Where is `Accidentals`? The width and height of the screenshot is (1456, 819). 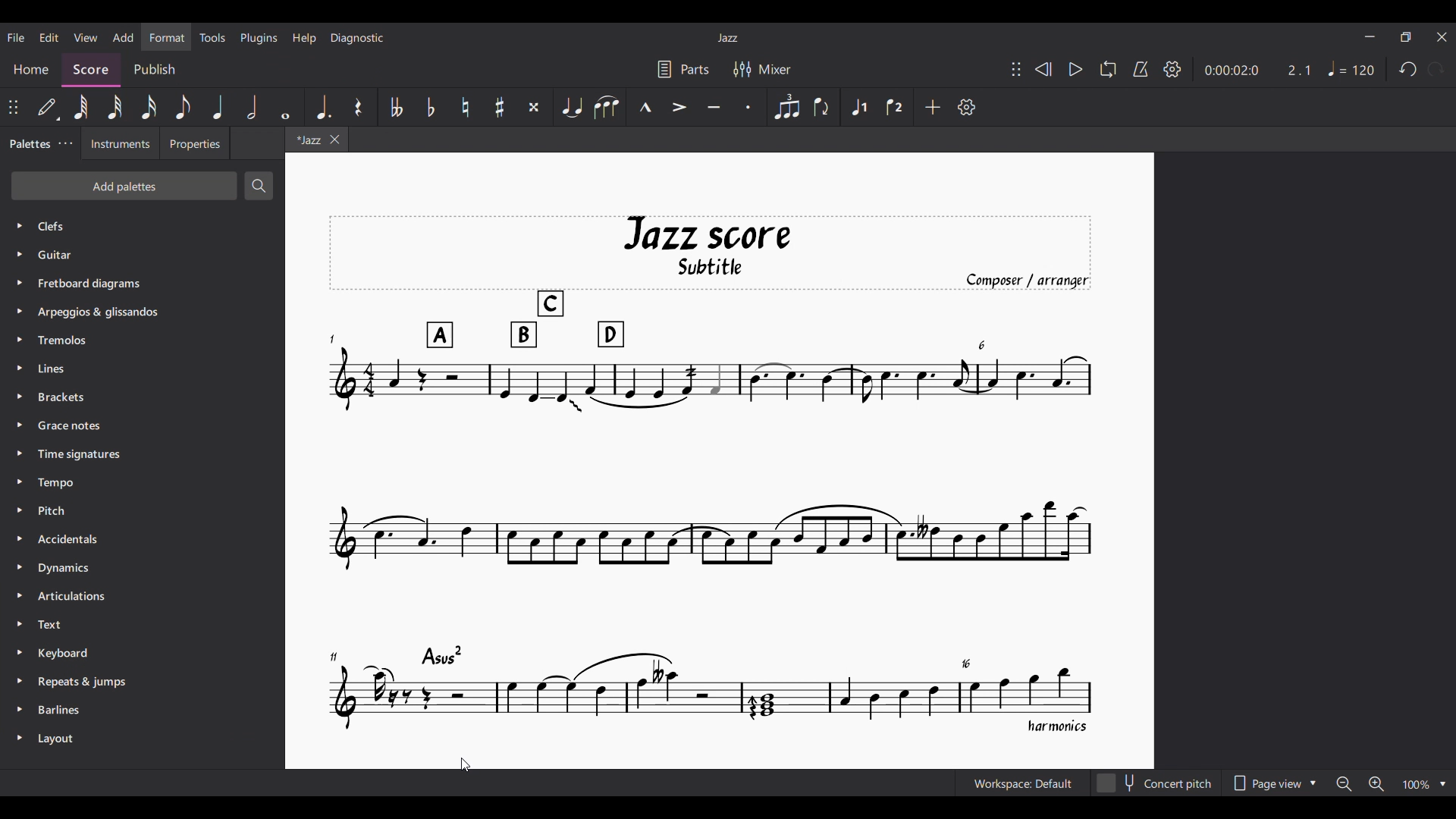 Accidentals is located at coordinates (72, 538).